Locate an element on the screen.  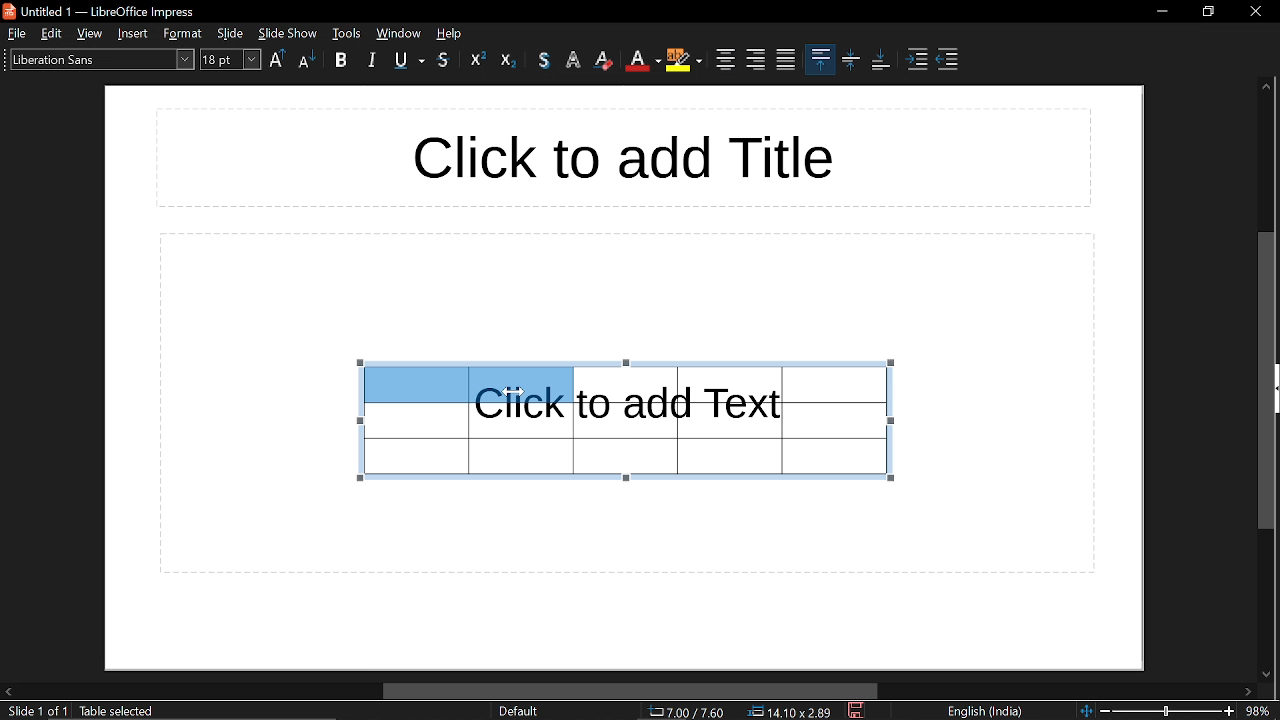
save is located at coordinates (858, 711).